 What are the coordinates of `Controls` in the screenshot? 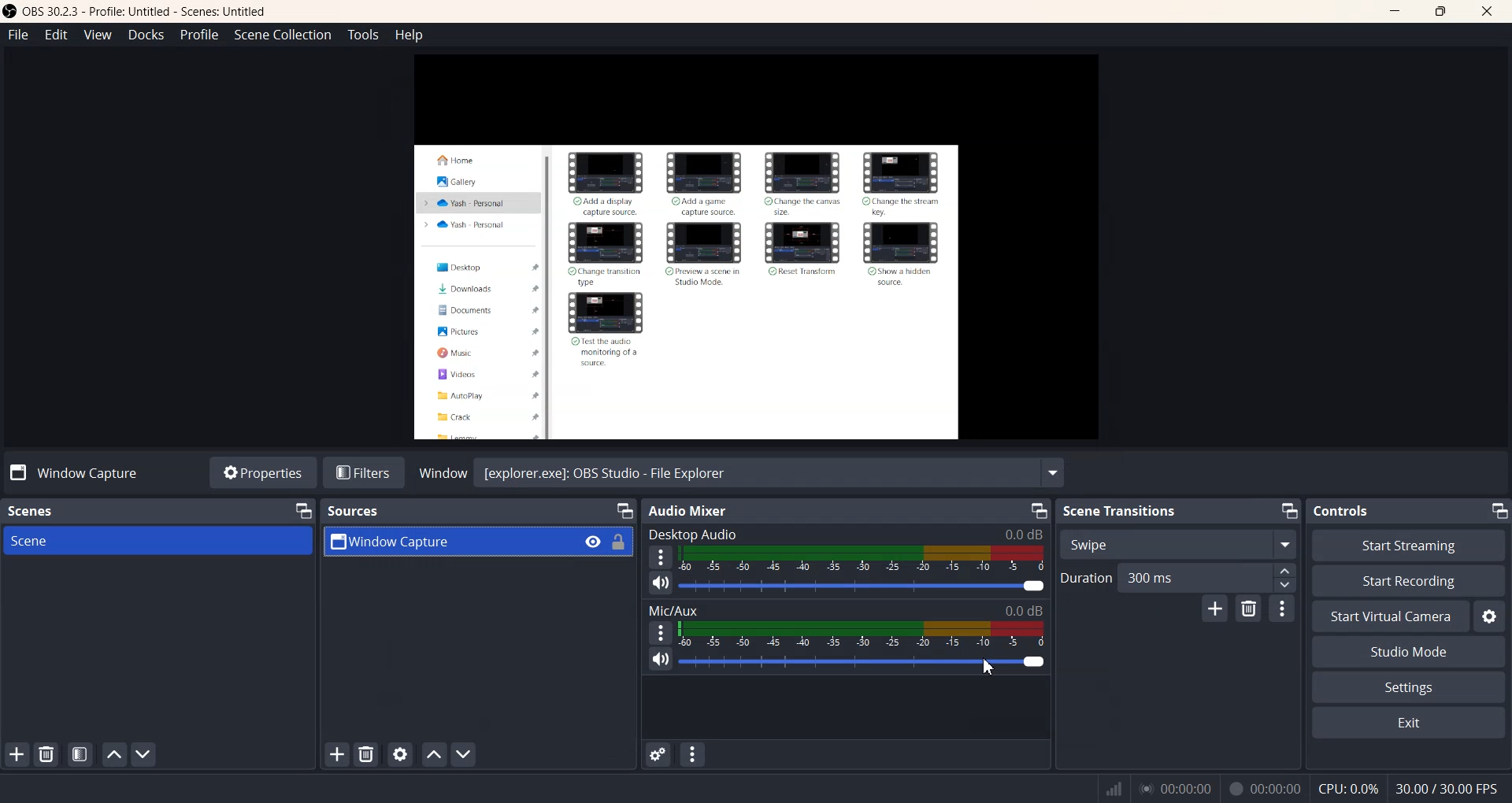 It's located at (1346, 511).